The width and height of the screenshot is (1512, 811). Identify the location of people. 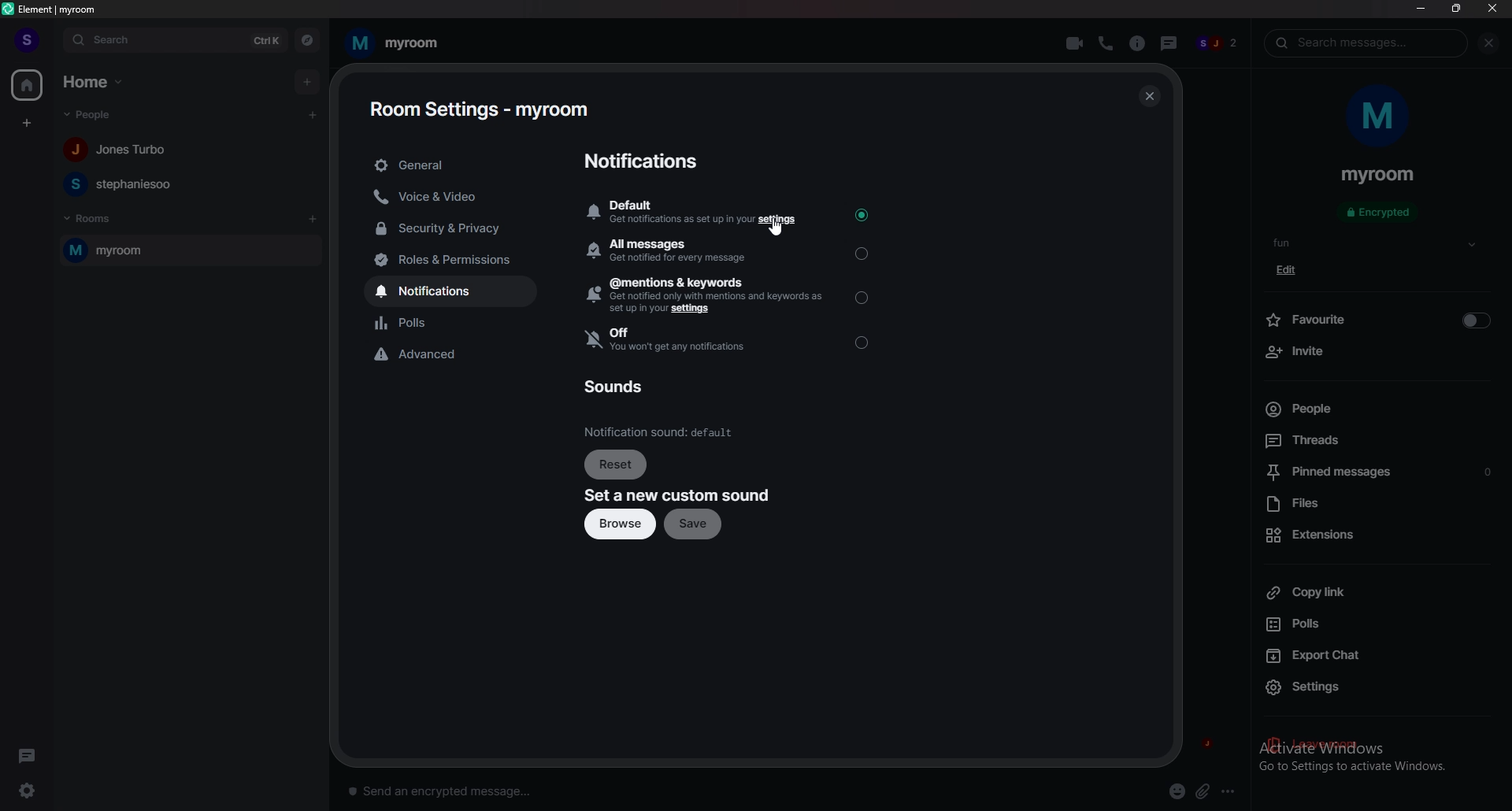
(121, 150).